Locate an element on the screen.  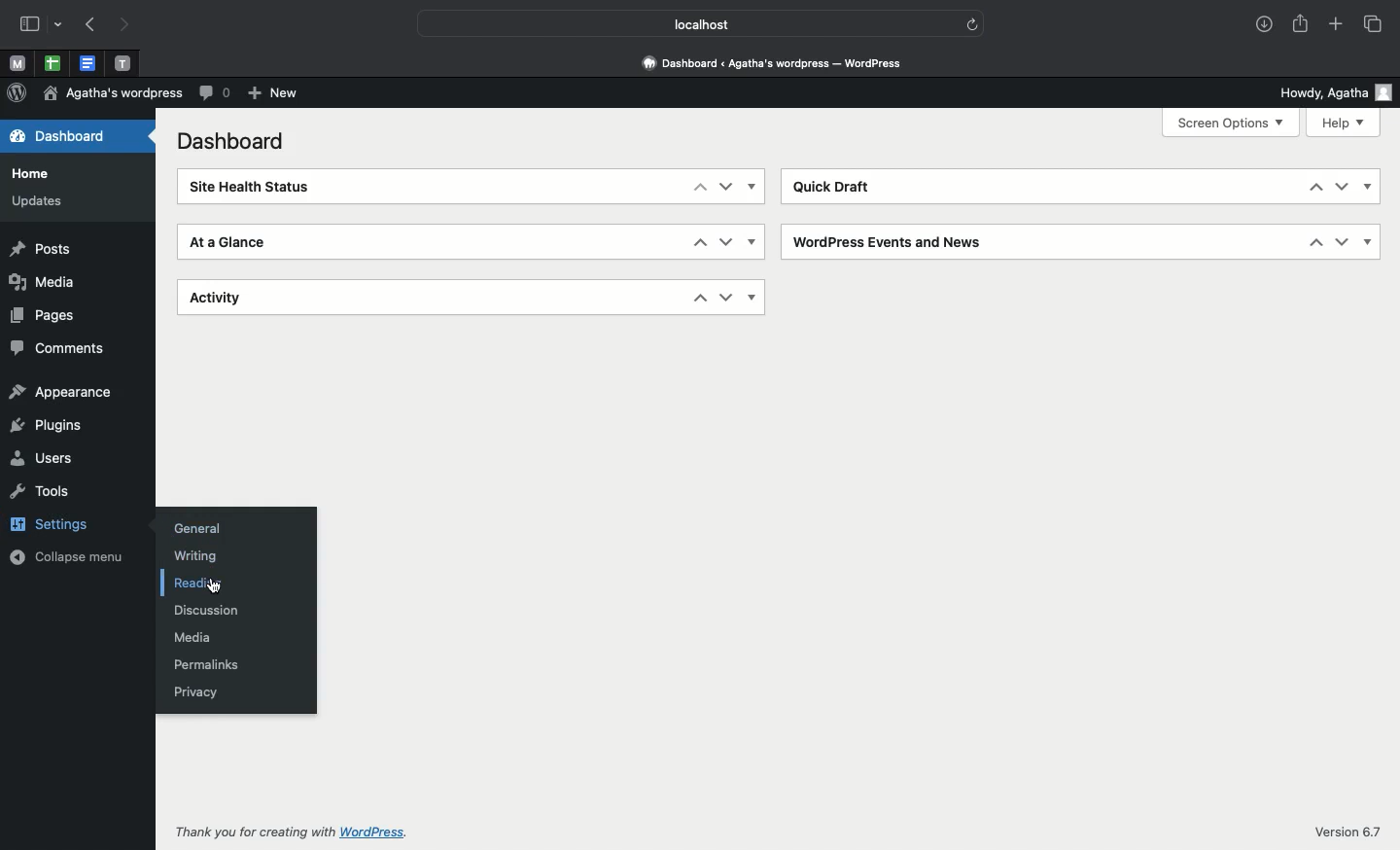
Up is located at coordinates (1314, 243).